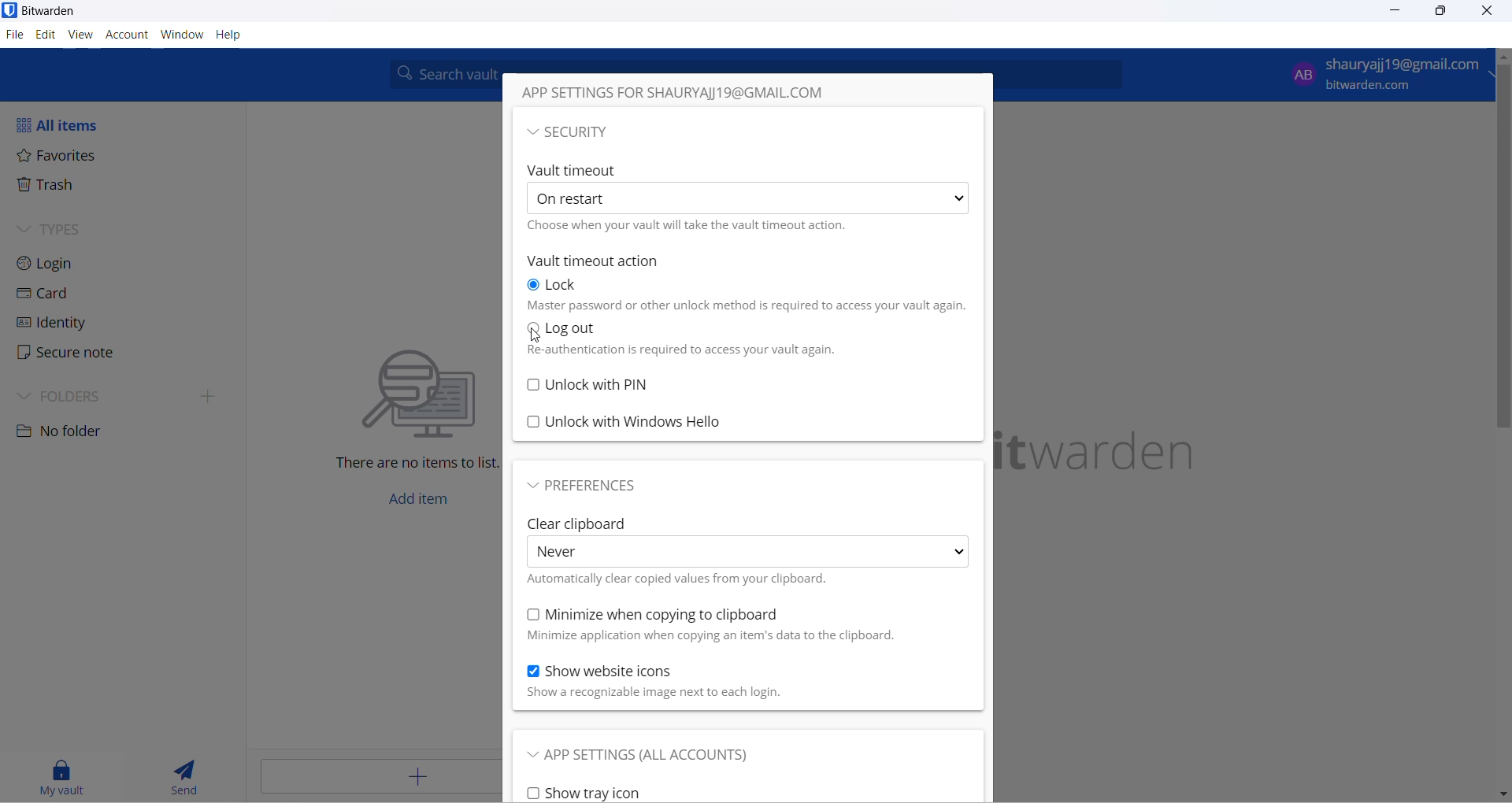 Image resolution: width=1512 pixels, height=803 pixels. What do you see at coordinates (745, 382) in the screenshot?
I see `unlock with PIN checkbox` at bounding box center [745, 382].